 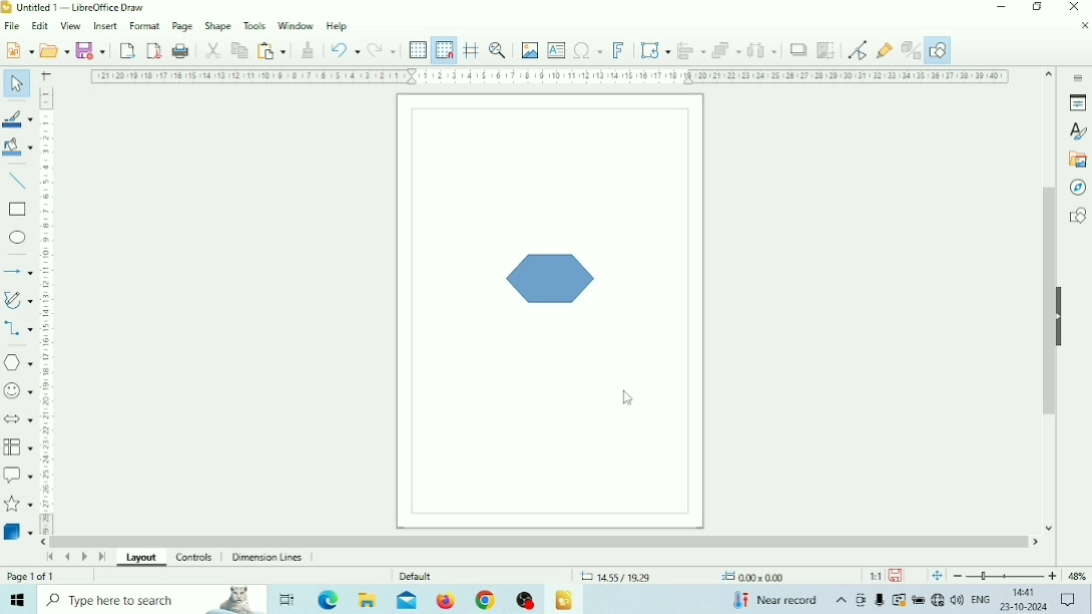 I want to click on Navigator, so click(x=1076, y=188).